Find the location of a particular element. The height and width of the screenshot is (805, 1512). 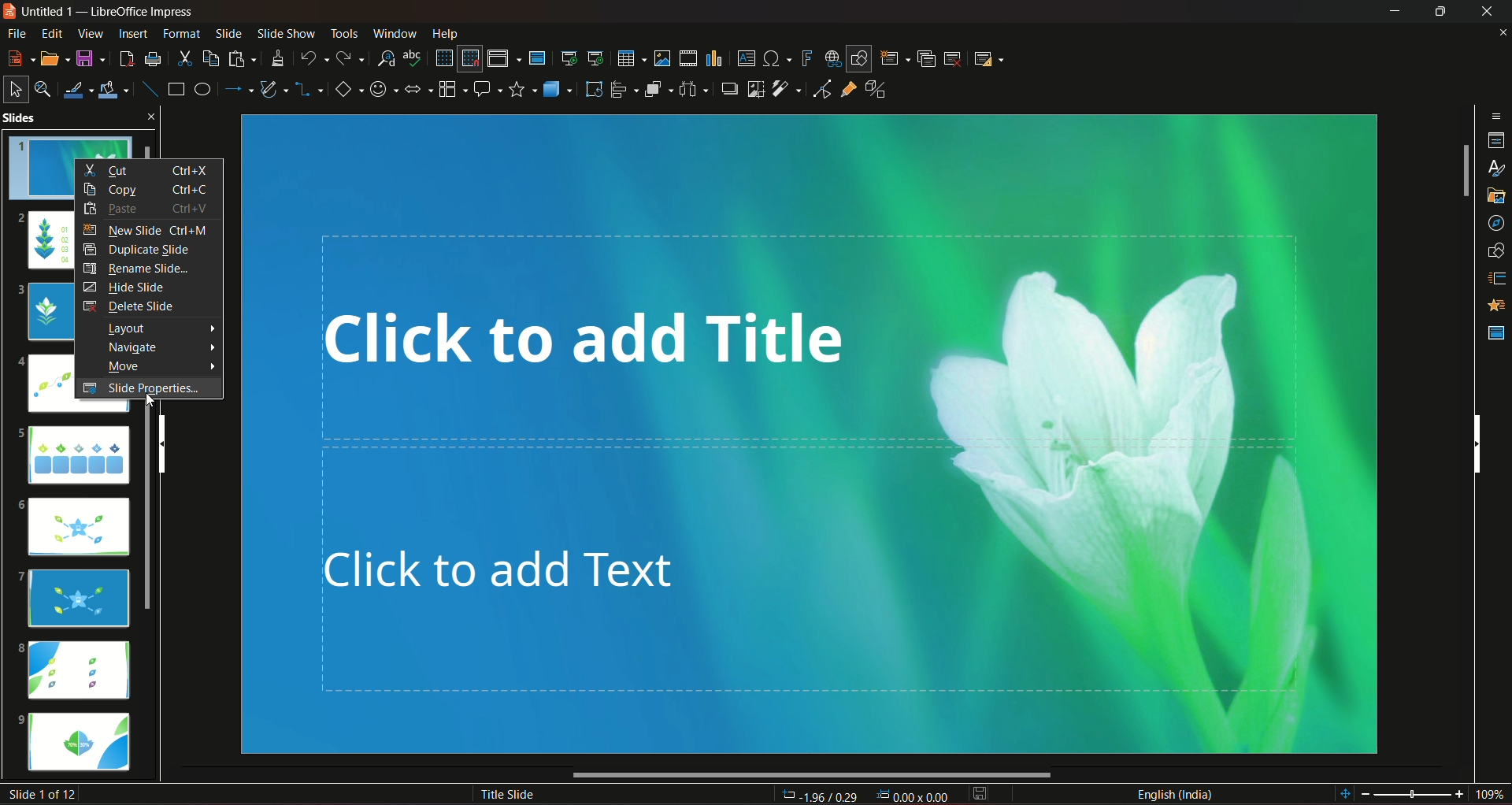

slide 1 is located at coordinates (43, 166).